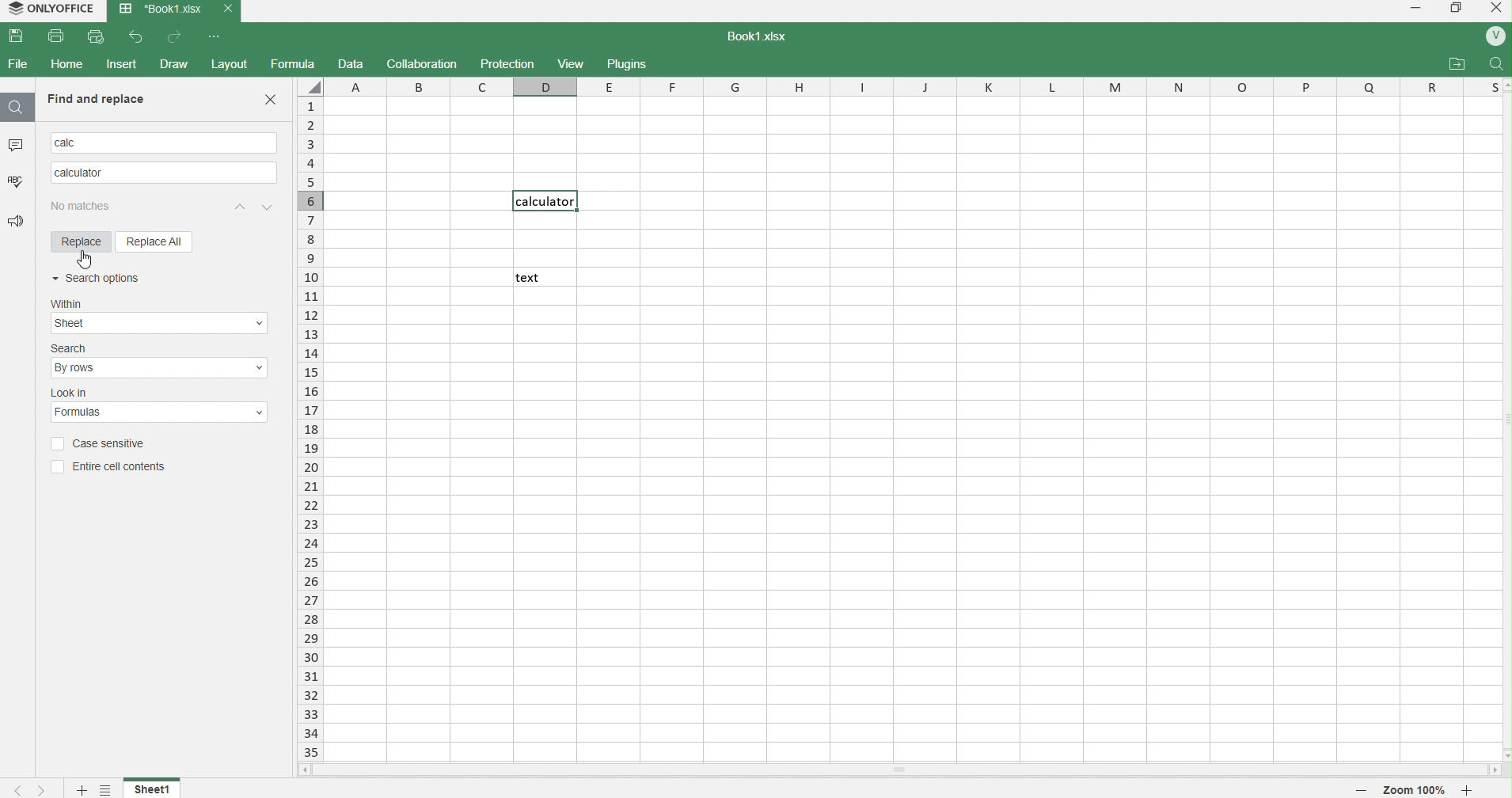 The width and height of the screenshot is (1512, 798). What do you see at coordinates (124, 64) in the screenshot?
I see `insert` at bounding box center [124, 64].